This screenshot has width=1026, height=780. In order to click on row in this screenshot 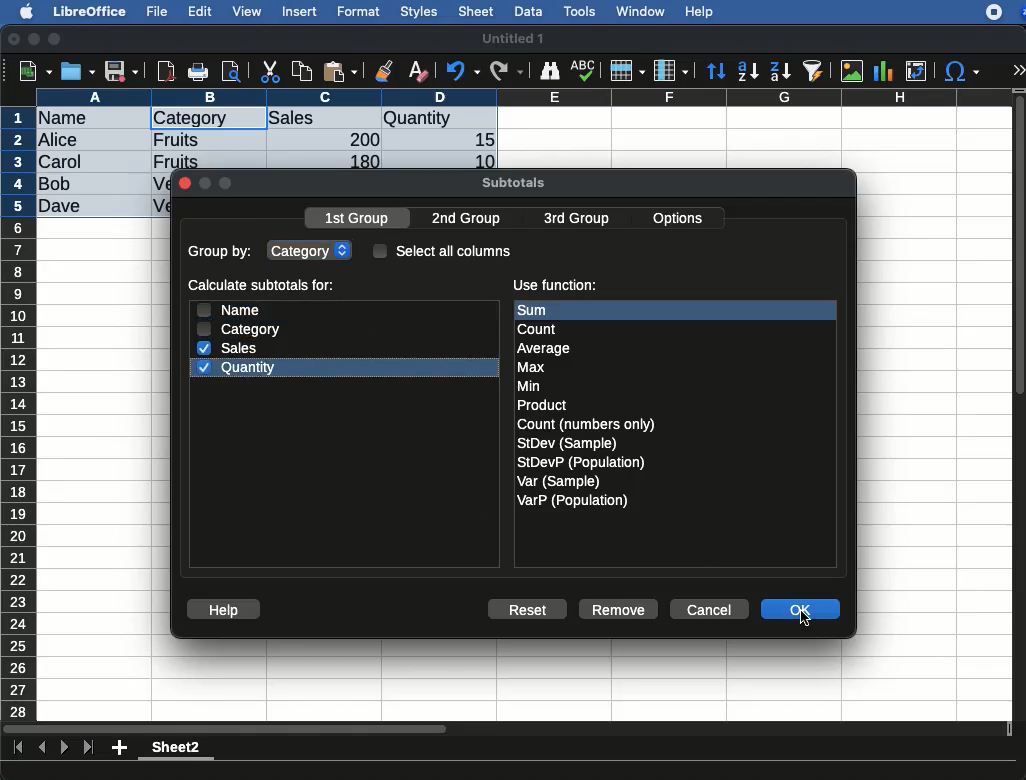, I will do `click(626, 71)`.